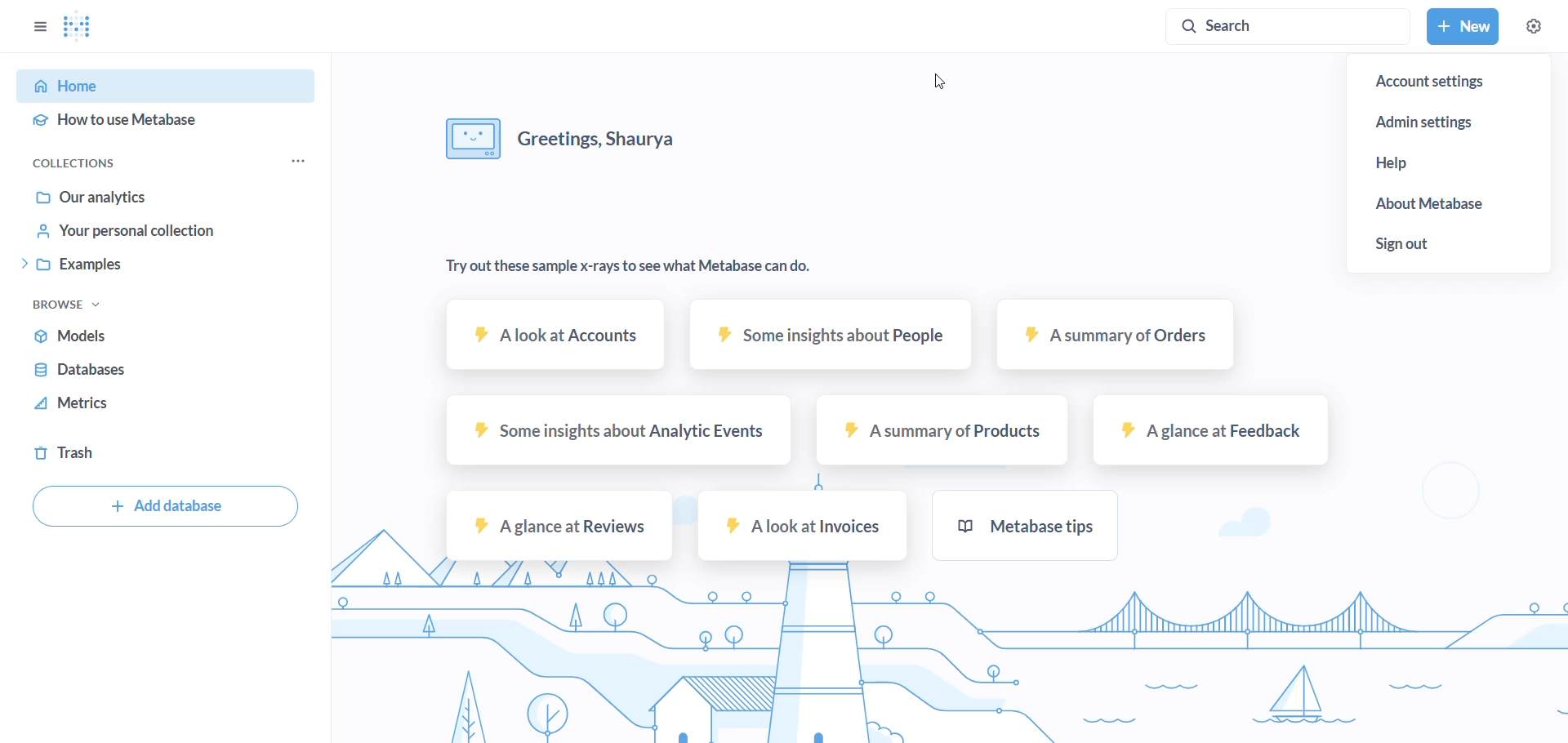 This screenshot has width=1568, height=743. Describe the element at coordinates (468, 137) in the screenshot. I see `icon` at that location.